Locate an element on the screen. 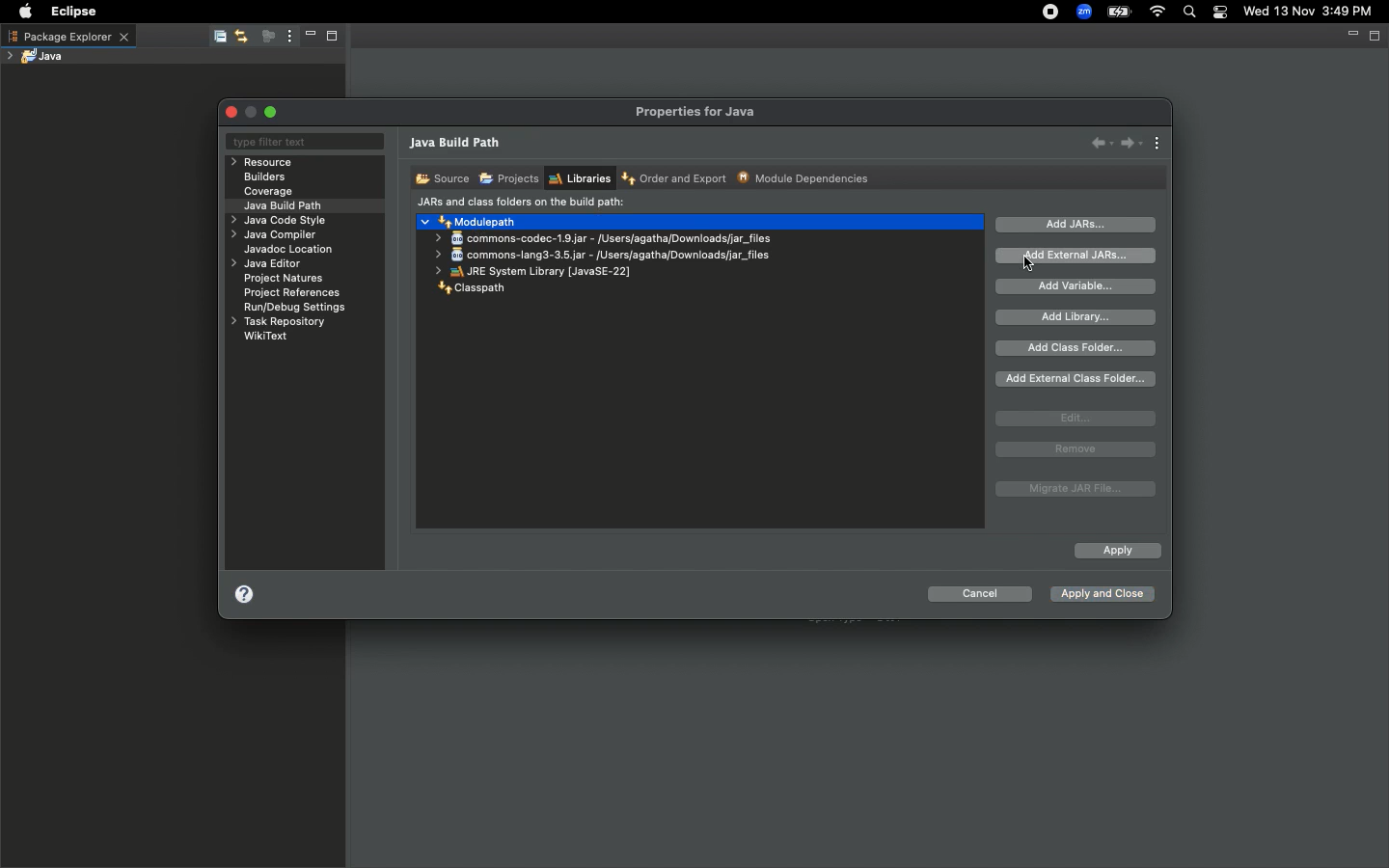 The image size is (1389, 868). Cancel is located at coordinates (979, 597).